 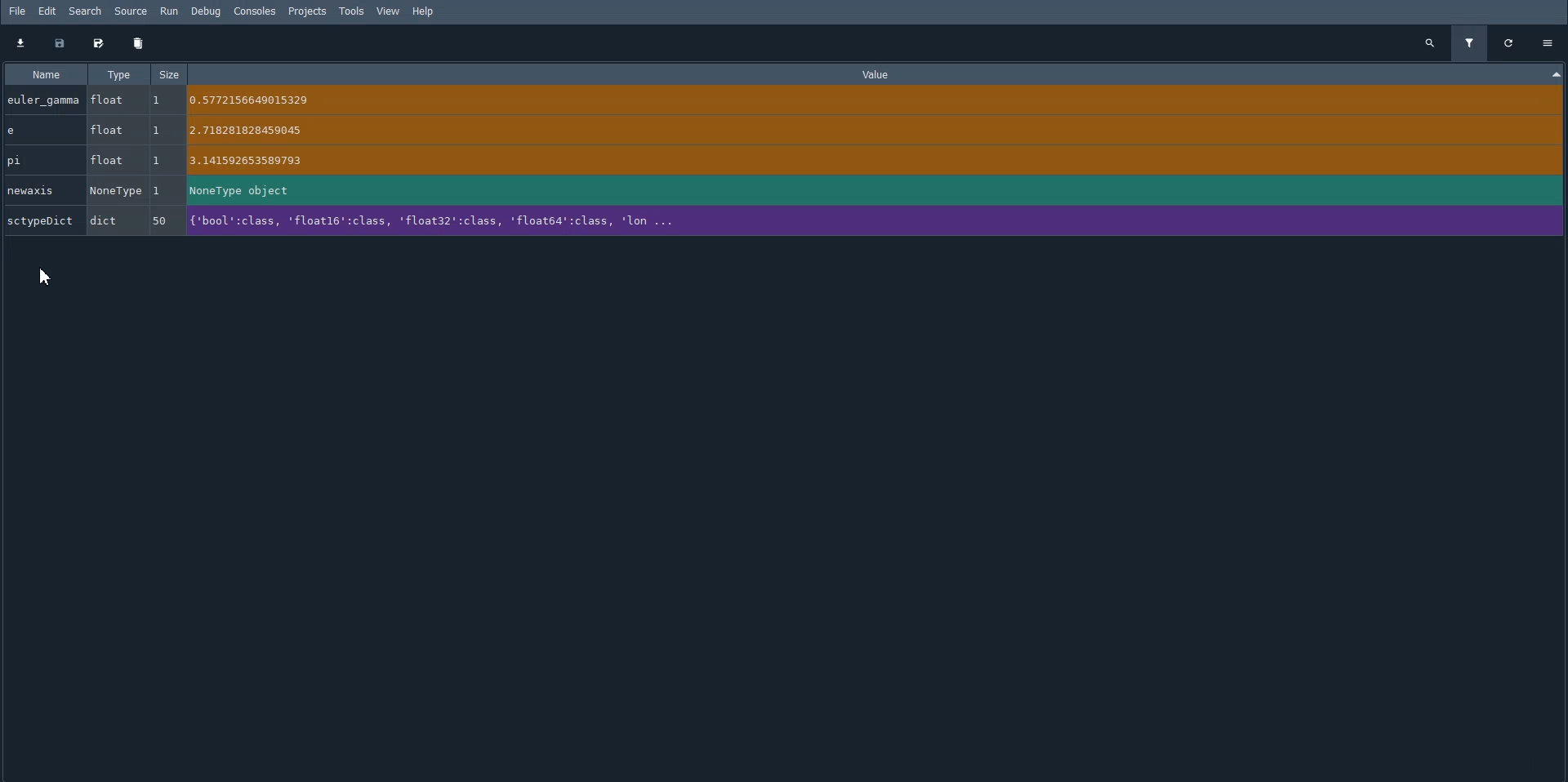 What do you see at coordinates (1430, 42) in the screenshot?
I see `Search all variables` at bounding box center [1430, 42].